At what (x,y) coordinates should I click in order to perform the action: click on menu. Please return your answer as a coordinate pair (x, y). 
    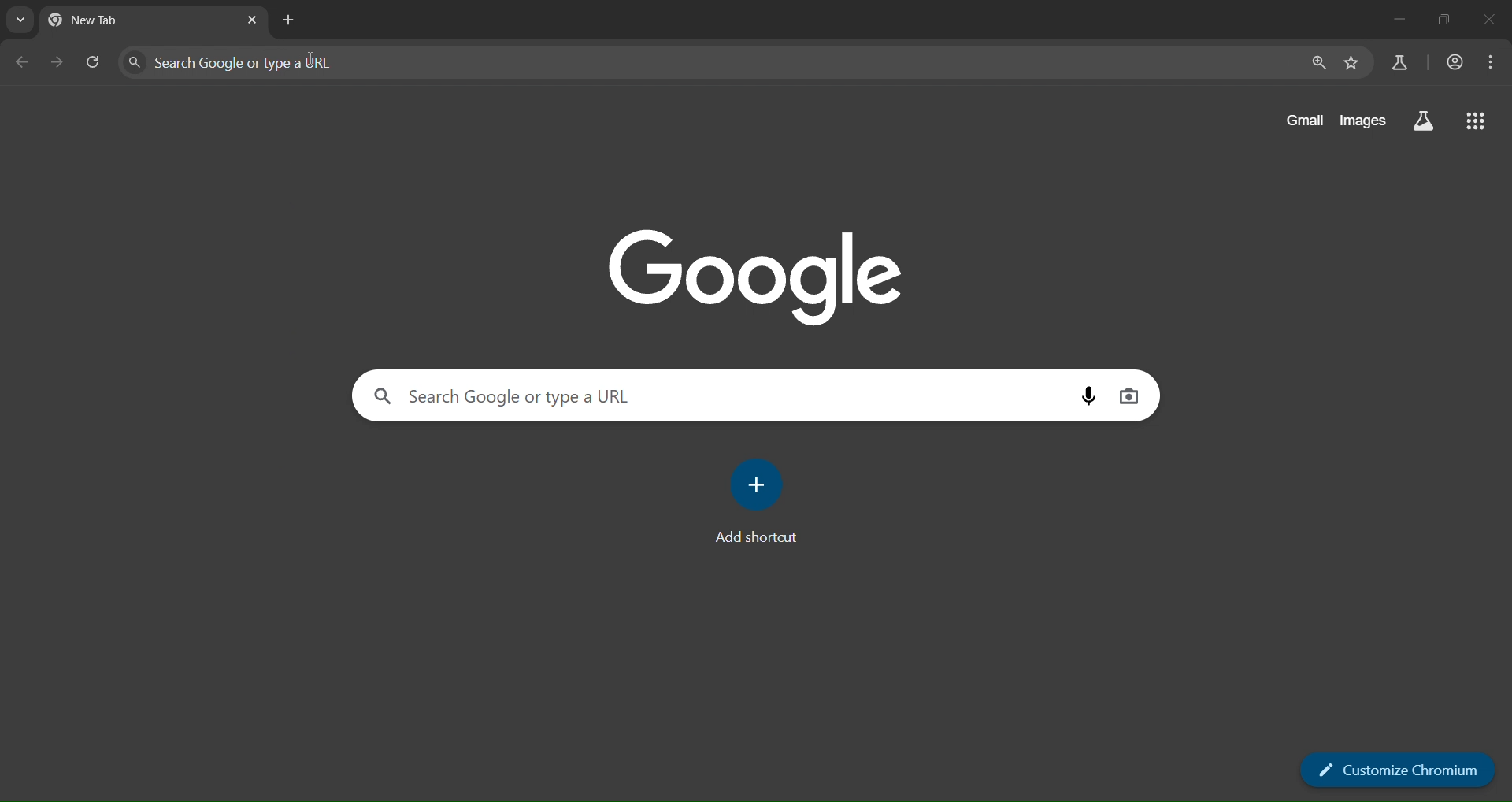
    Looking at the image, I should click on (1492, 62).